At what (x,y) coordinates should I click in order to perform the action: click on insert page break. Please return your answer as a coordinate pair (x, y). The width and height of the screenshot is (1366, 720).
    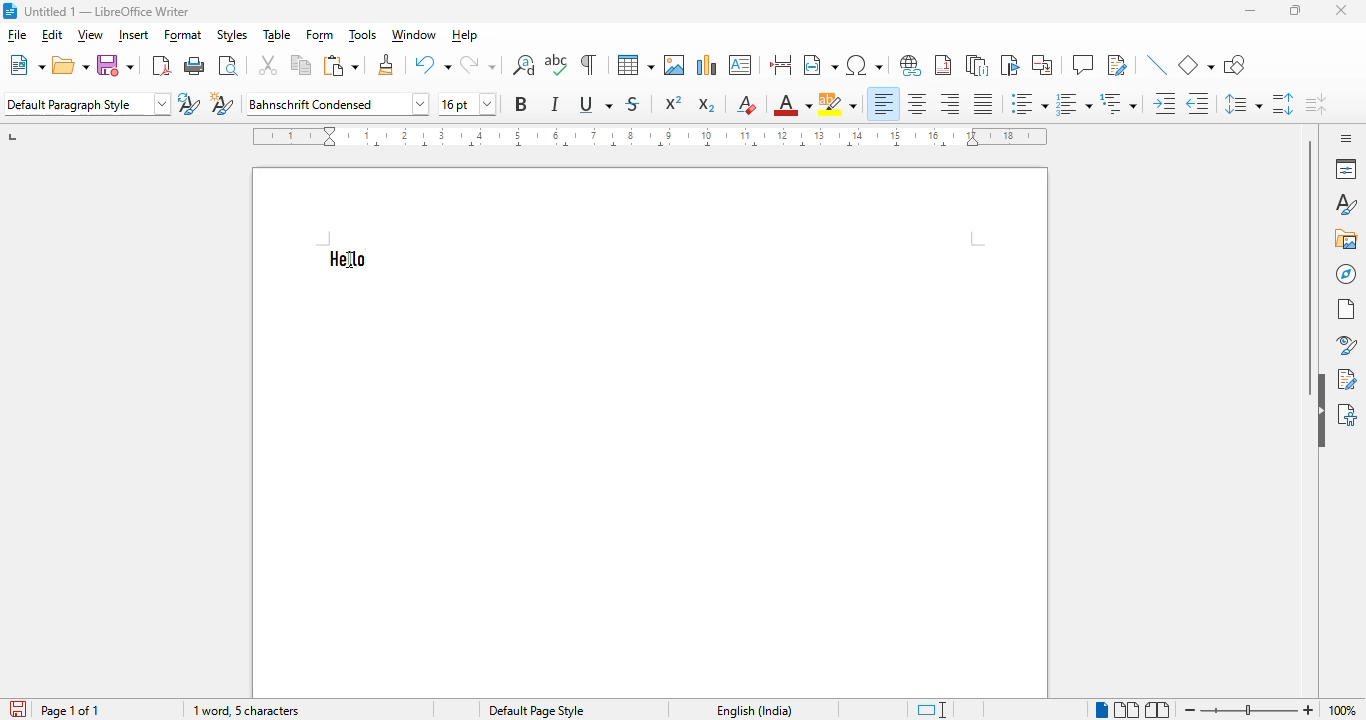
    Looking at the image, I should click on (780, 64).